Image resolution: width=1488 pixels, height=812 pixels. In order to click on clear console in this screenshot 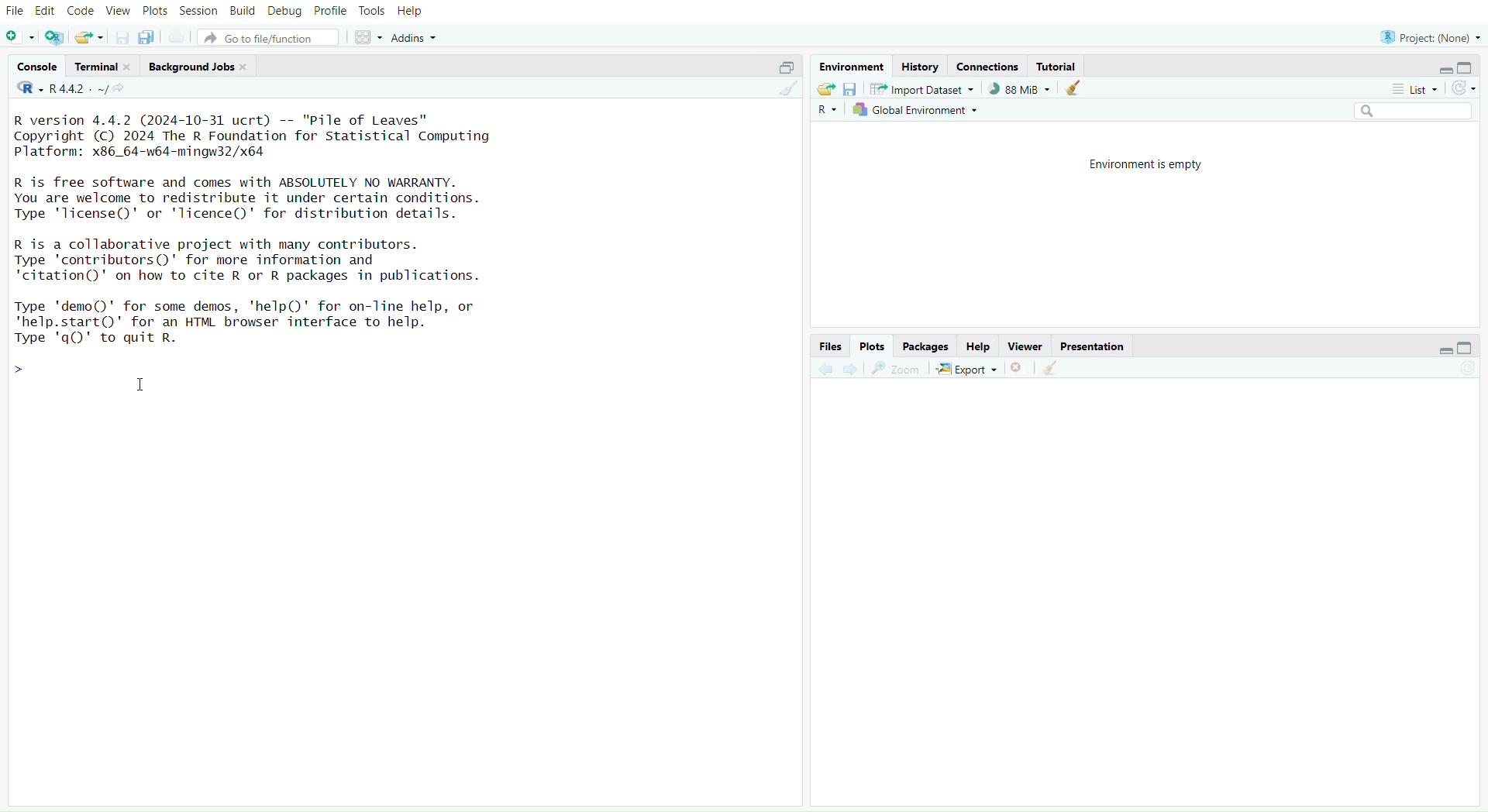, I will do `click(787, 91)`.